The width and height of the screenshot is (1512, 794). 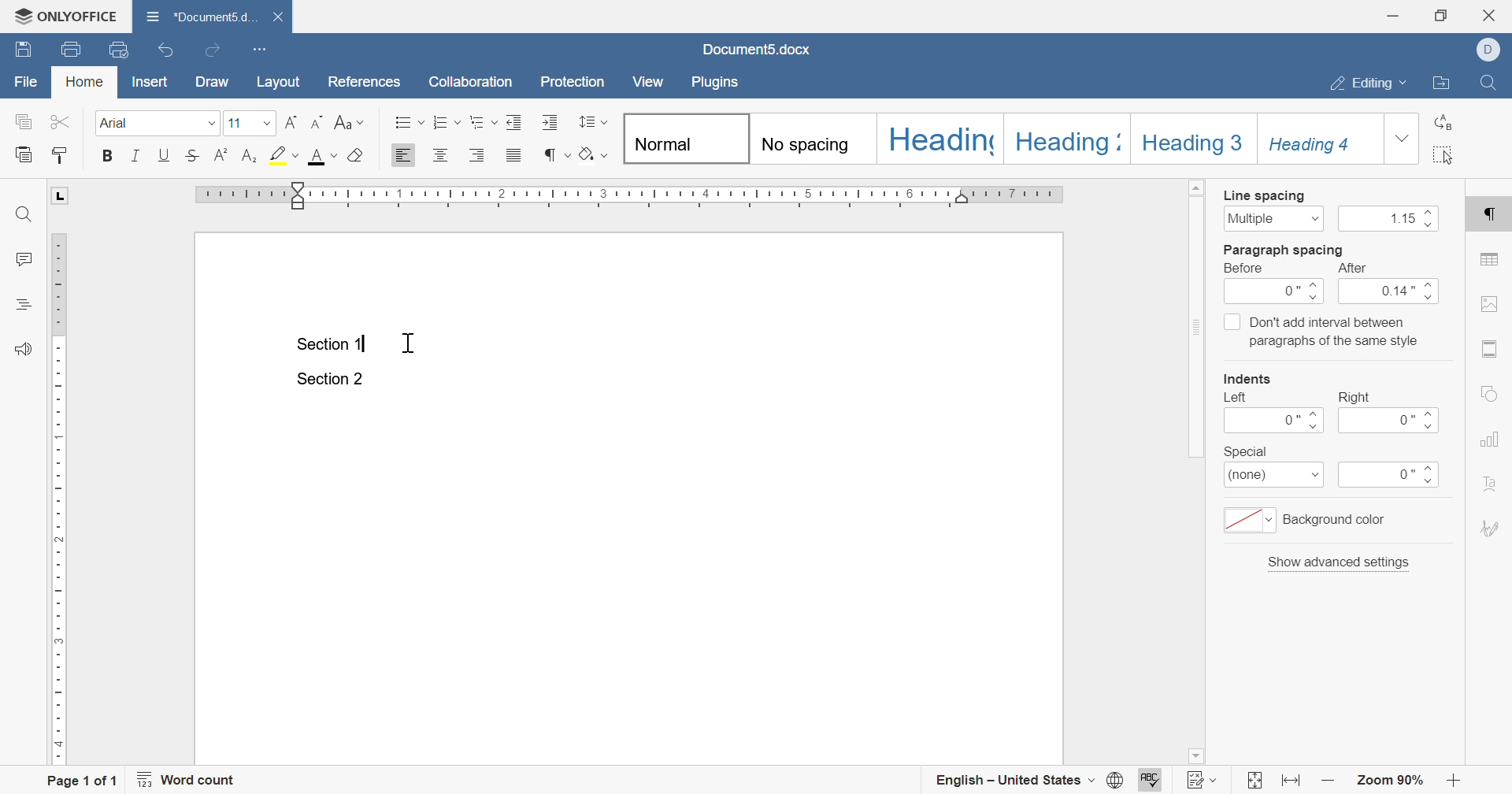 I want to click on scroll bar, so click(x=1198, y=319).